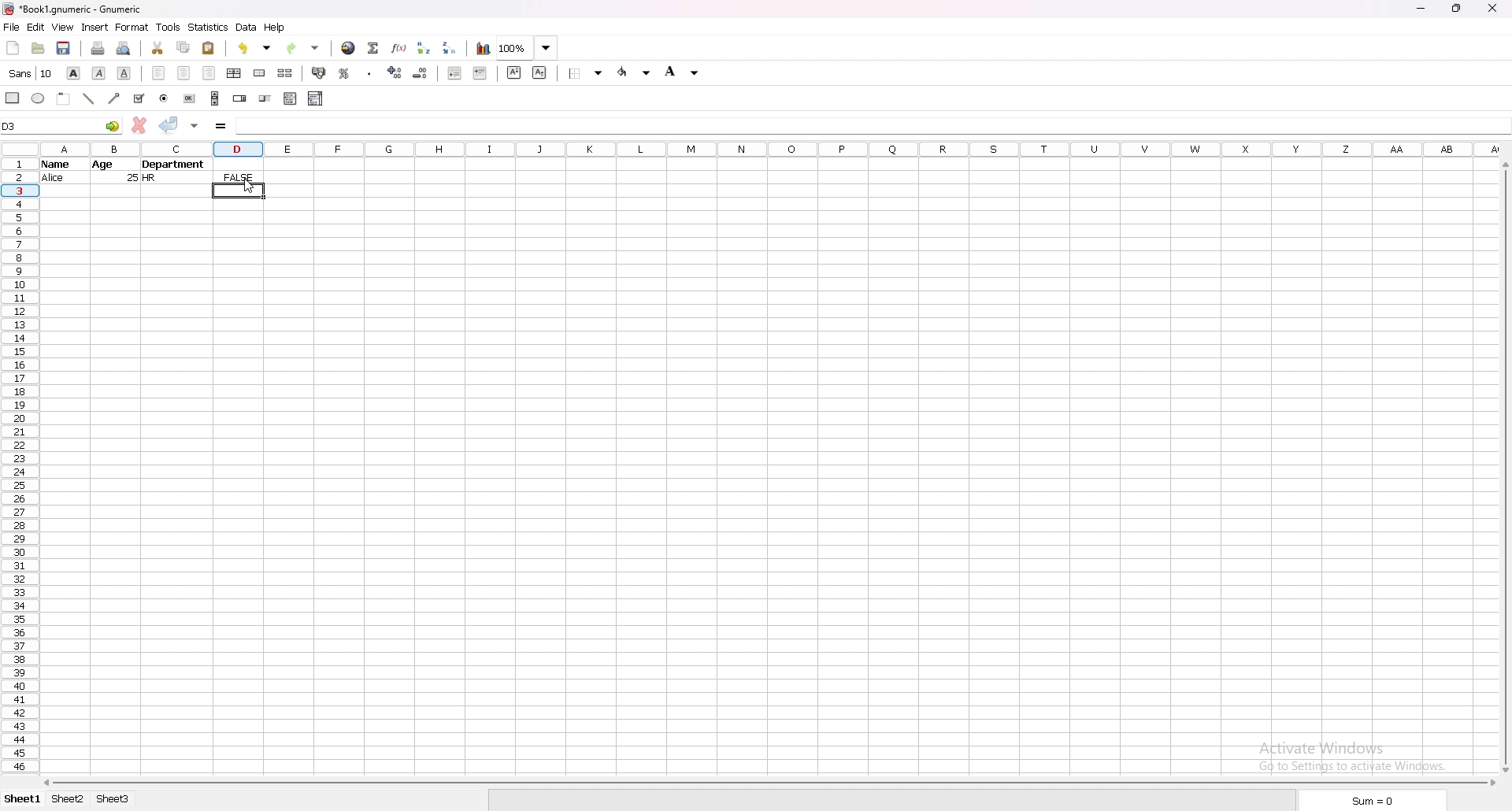 This screenshot has height=811, width=1512. What do you see at coordinates (246, 186) in the screenshot?
I see `cursor` at bounding box center [246, 186].